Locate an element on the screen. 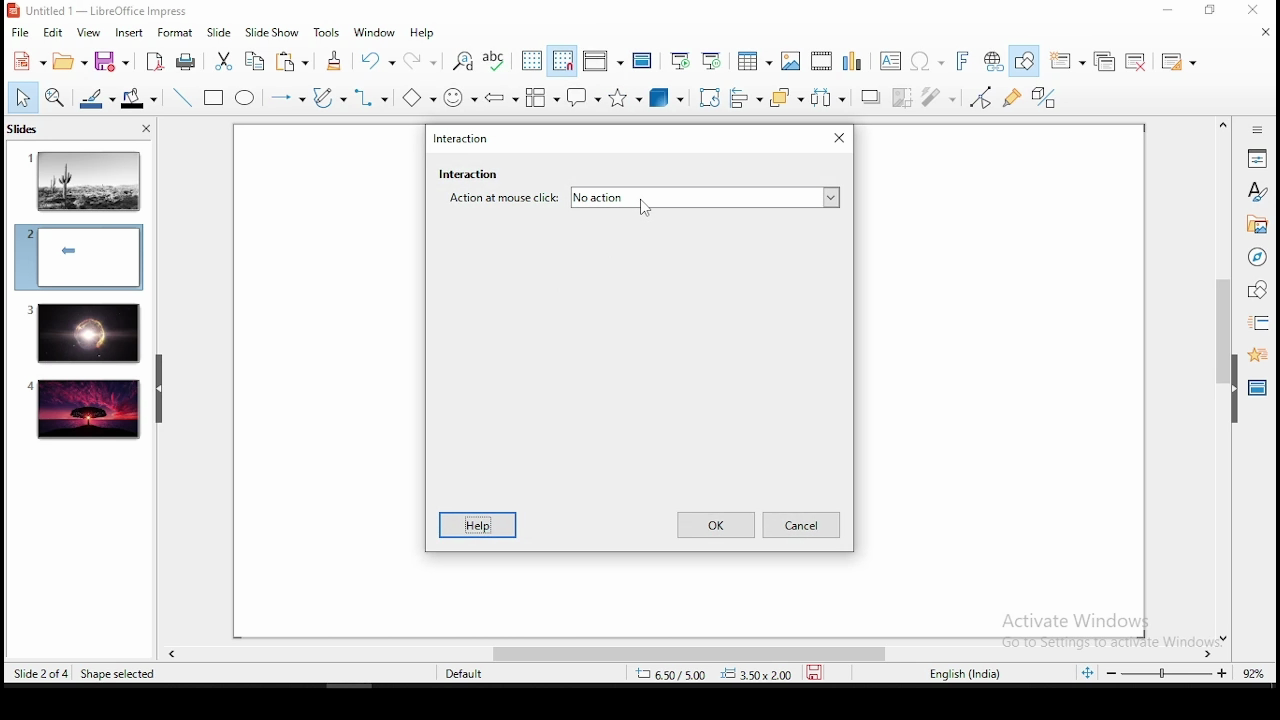 This screenshot has width=1280, height=720. hyperlink is located at coordinates (994, 62).